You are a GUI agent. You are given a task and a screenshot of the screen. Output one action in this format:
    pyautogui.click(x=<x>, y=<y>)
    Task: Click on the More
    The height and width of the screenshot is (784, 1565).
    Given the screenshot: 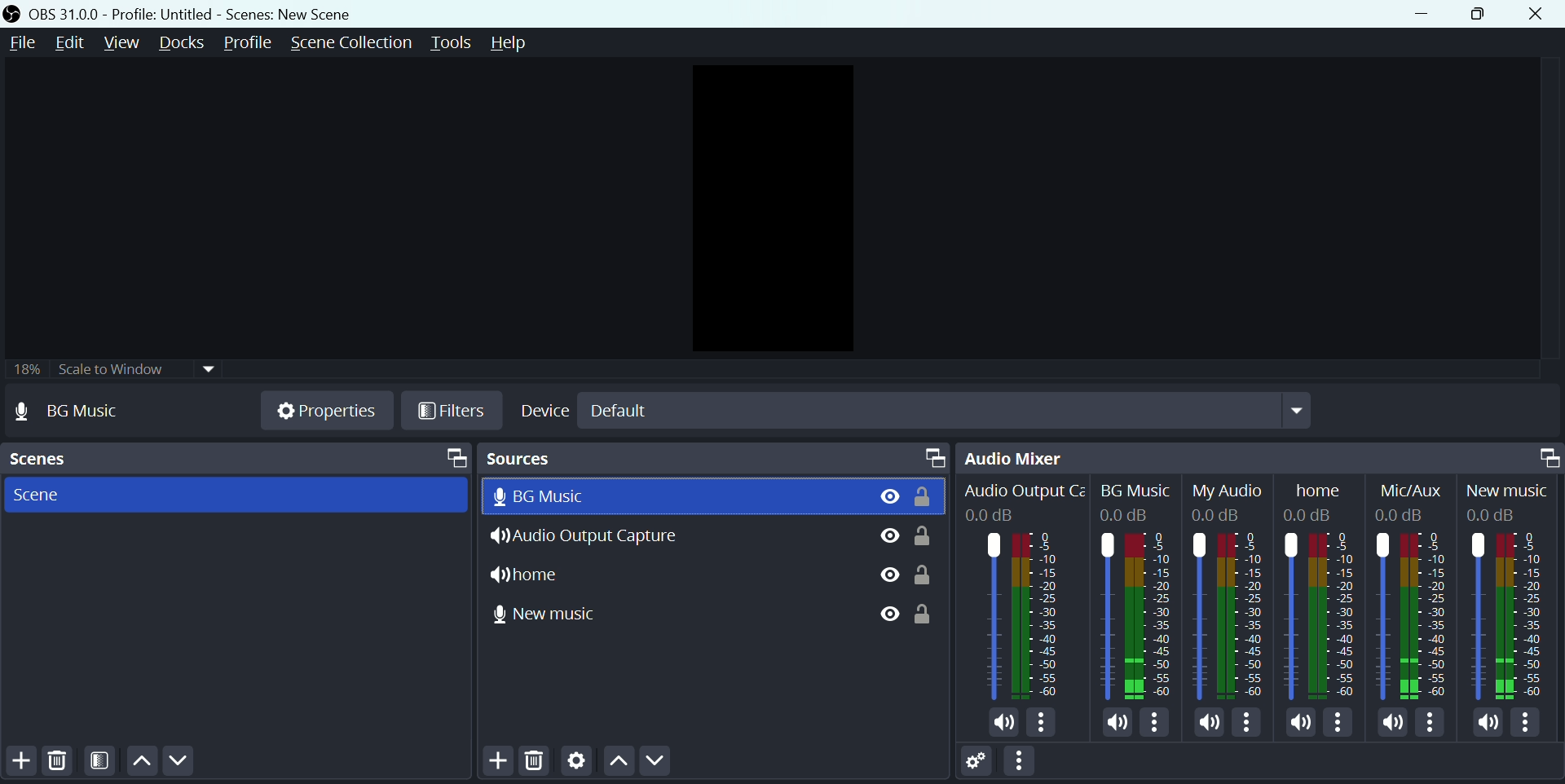 What is the action you would take?
    pyautogui.click(x=1045, y=724)
    